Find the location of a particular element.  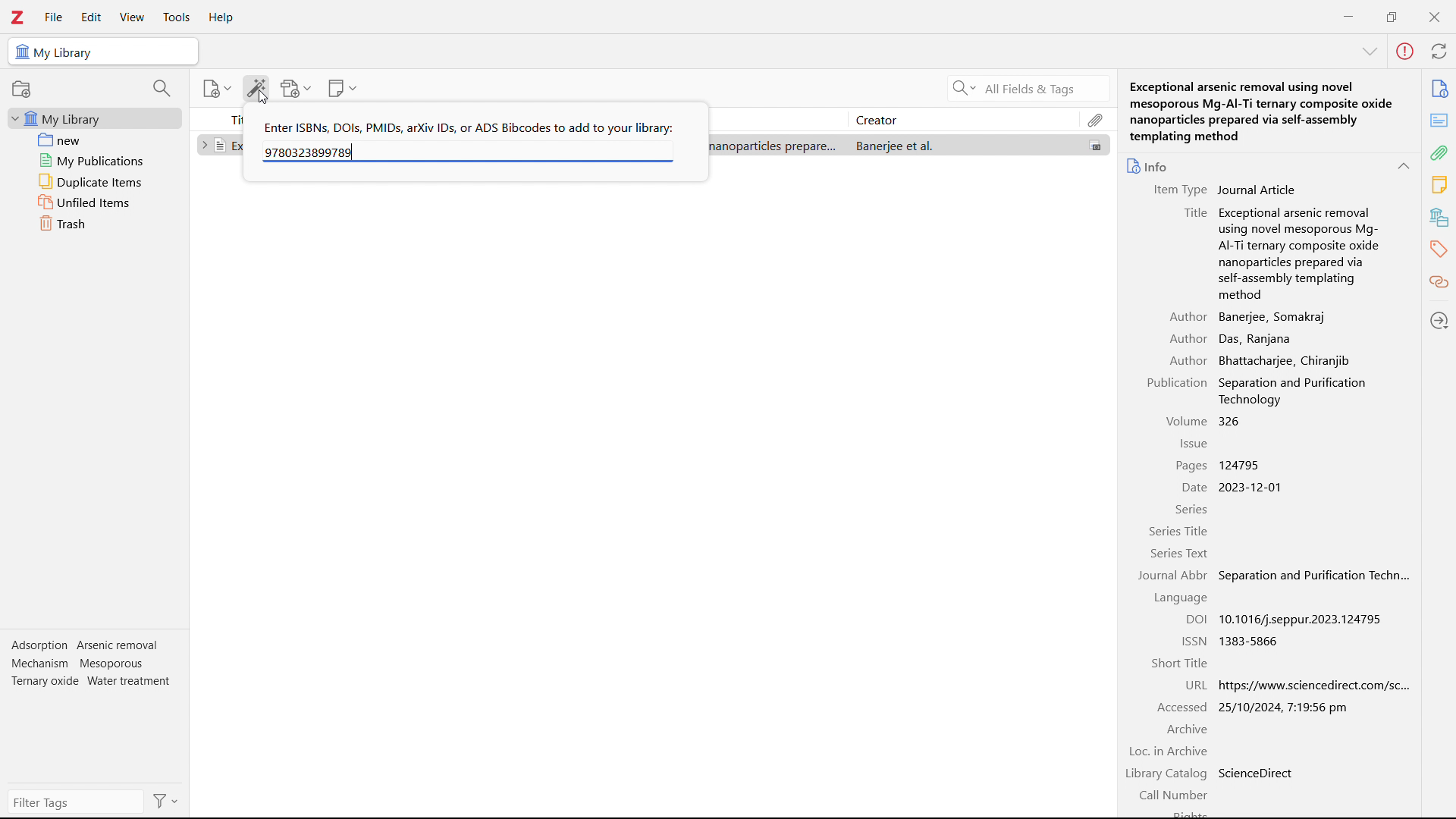

2023-12-01 is located at coordinates (1253, 488).